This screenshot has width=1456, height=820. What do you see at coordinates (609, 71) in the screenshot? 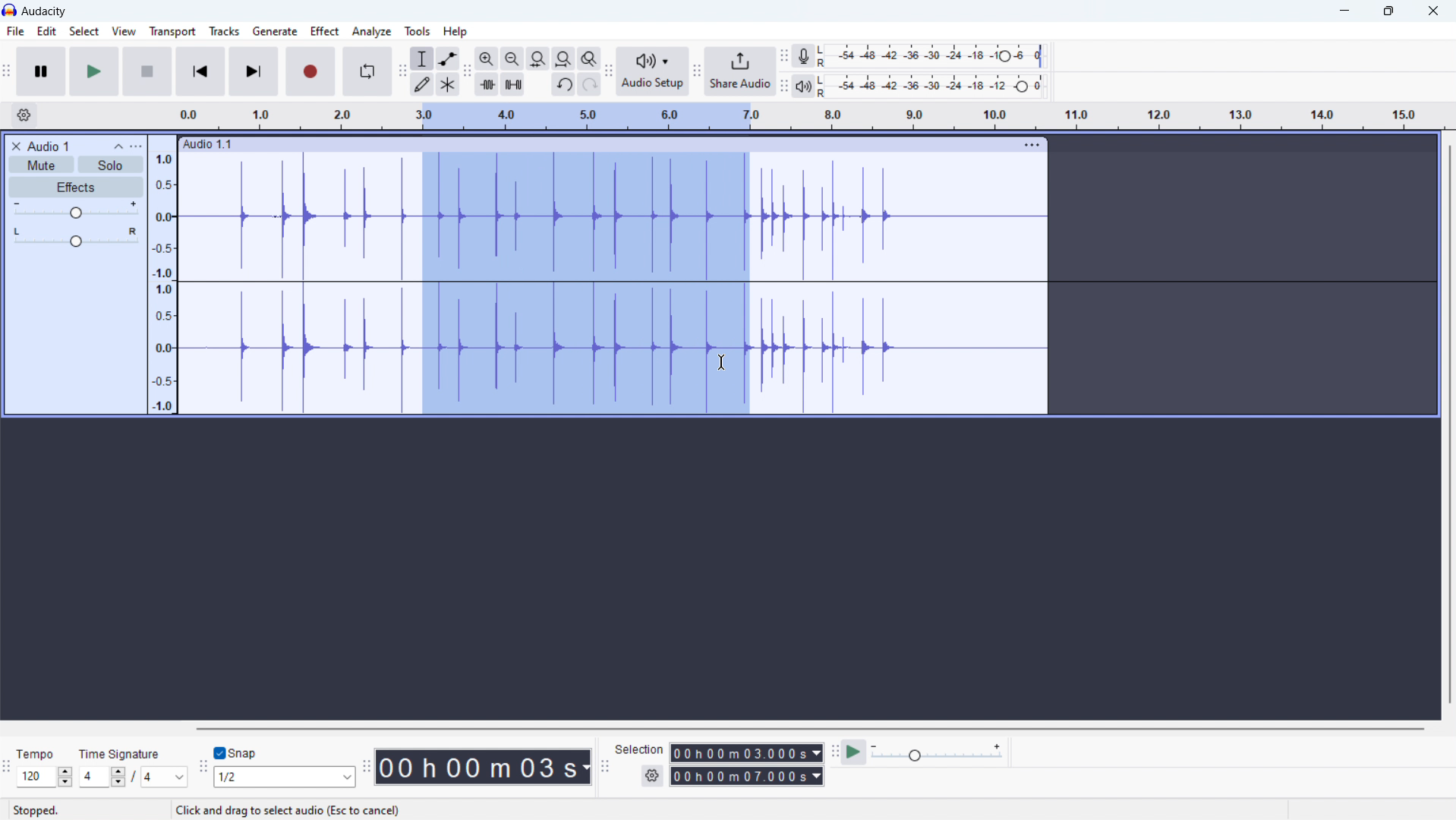
I see `audio setup toolbar` at bounding box center [609, 71].